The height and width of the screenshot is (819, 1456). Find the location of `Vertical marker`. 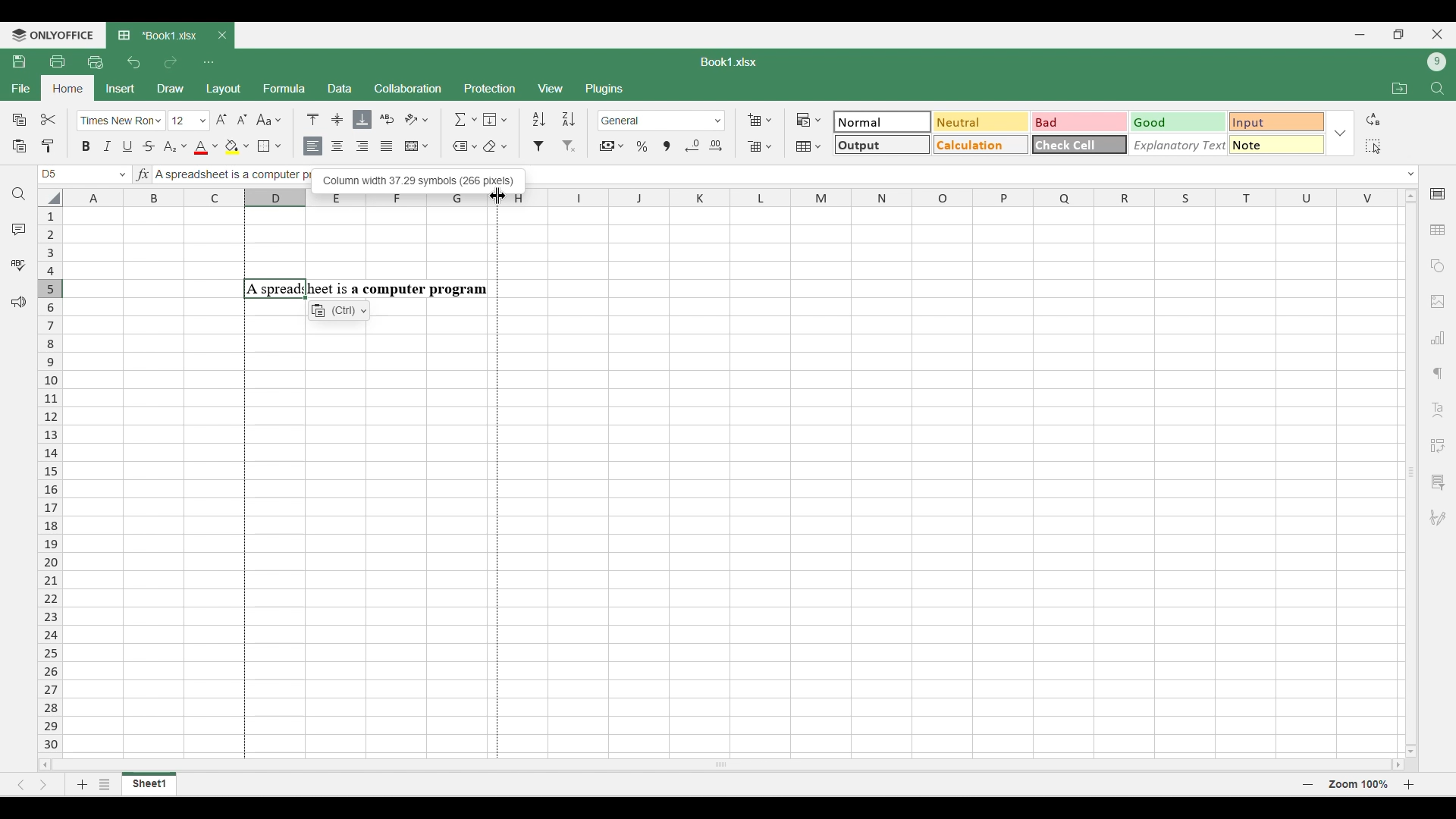

Vertical marker is located at coordinates (51, 482).